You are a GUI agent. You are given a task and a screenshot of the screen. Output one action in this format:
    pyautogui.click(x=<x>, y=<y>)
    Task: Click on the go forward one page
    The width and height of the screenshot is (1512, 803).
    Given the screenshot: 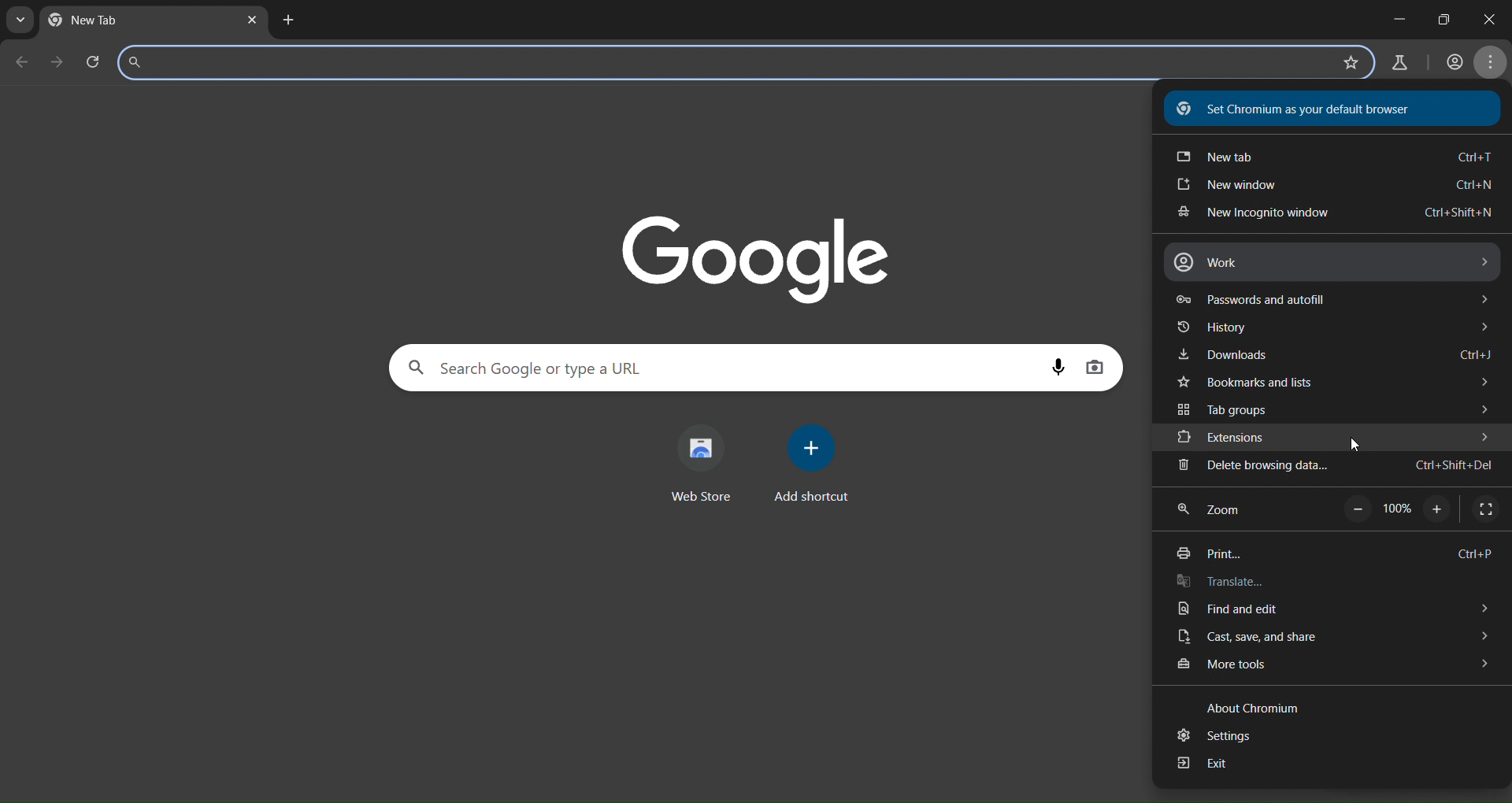 What is the action you would take?
    pyautogui.click(x=60, y=62)
    